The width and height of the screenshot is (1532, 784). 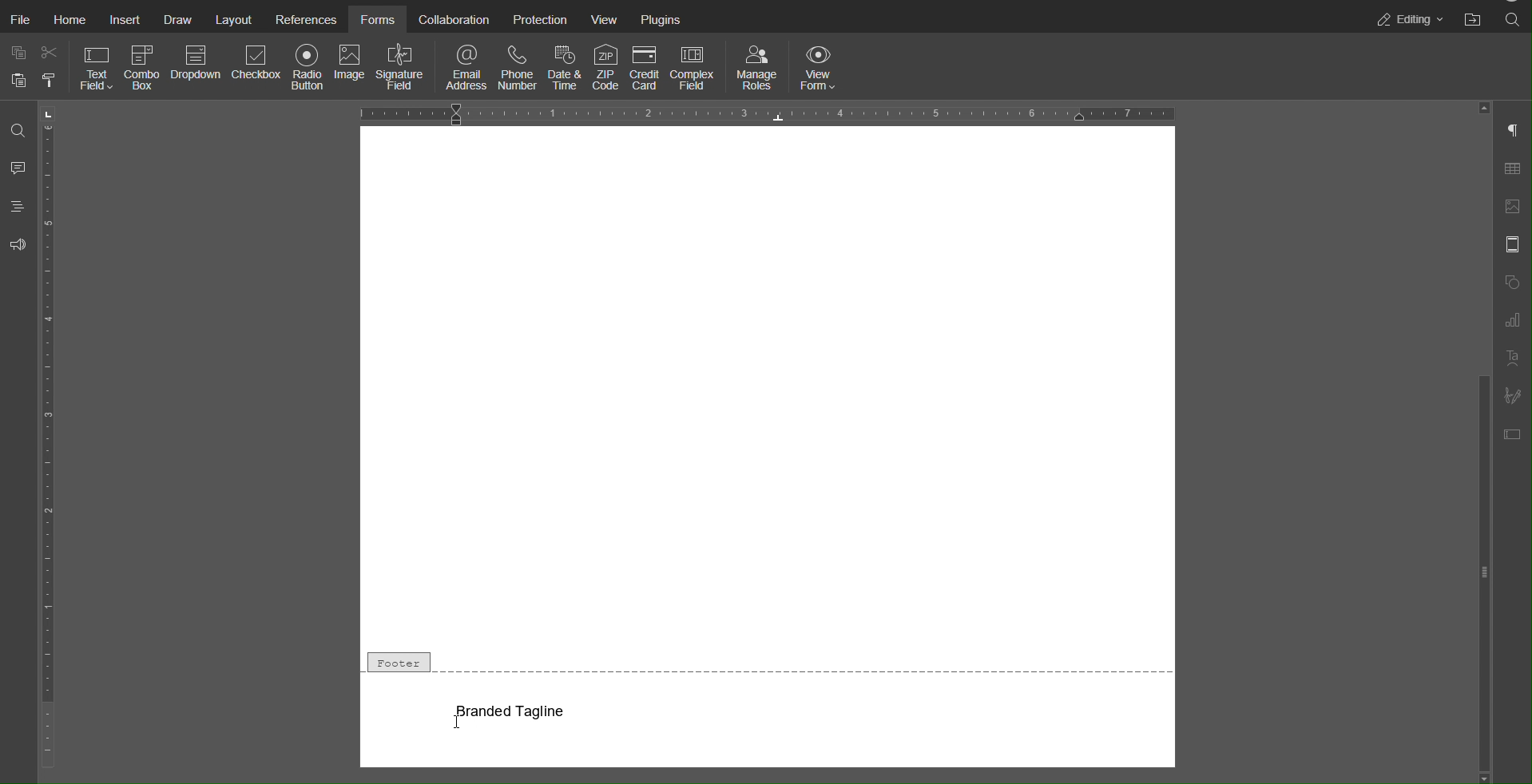 I want to click on Home, so click(x=71, y=20).